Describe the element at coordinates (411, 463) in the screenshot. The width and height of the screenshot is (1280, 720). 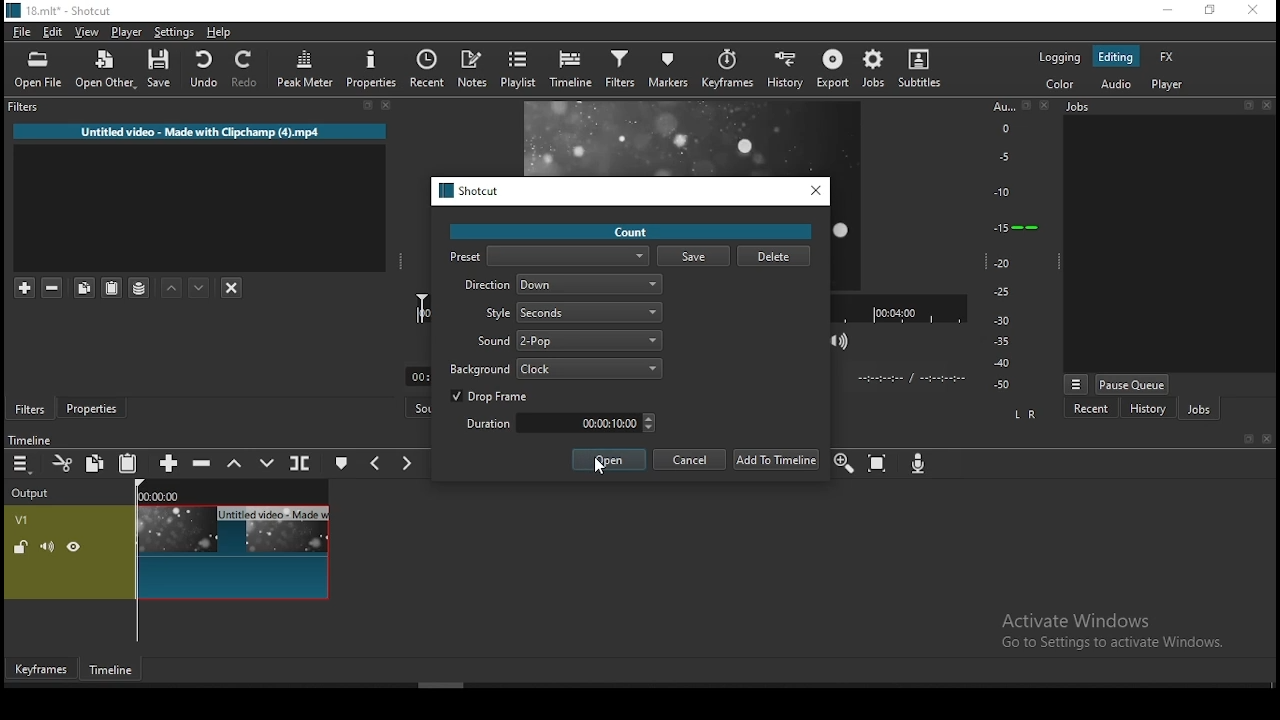
I see `next marker` at that location.